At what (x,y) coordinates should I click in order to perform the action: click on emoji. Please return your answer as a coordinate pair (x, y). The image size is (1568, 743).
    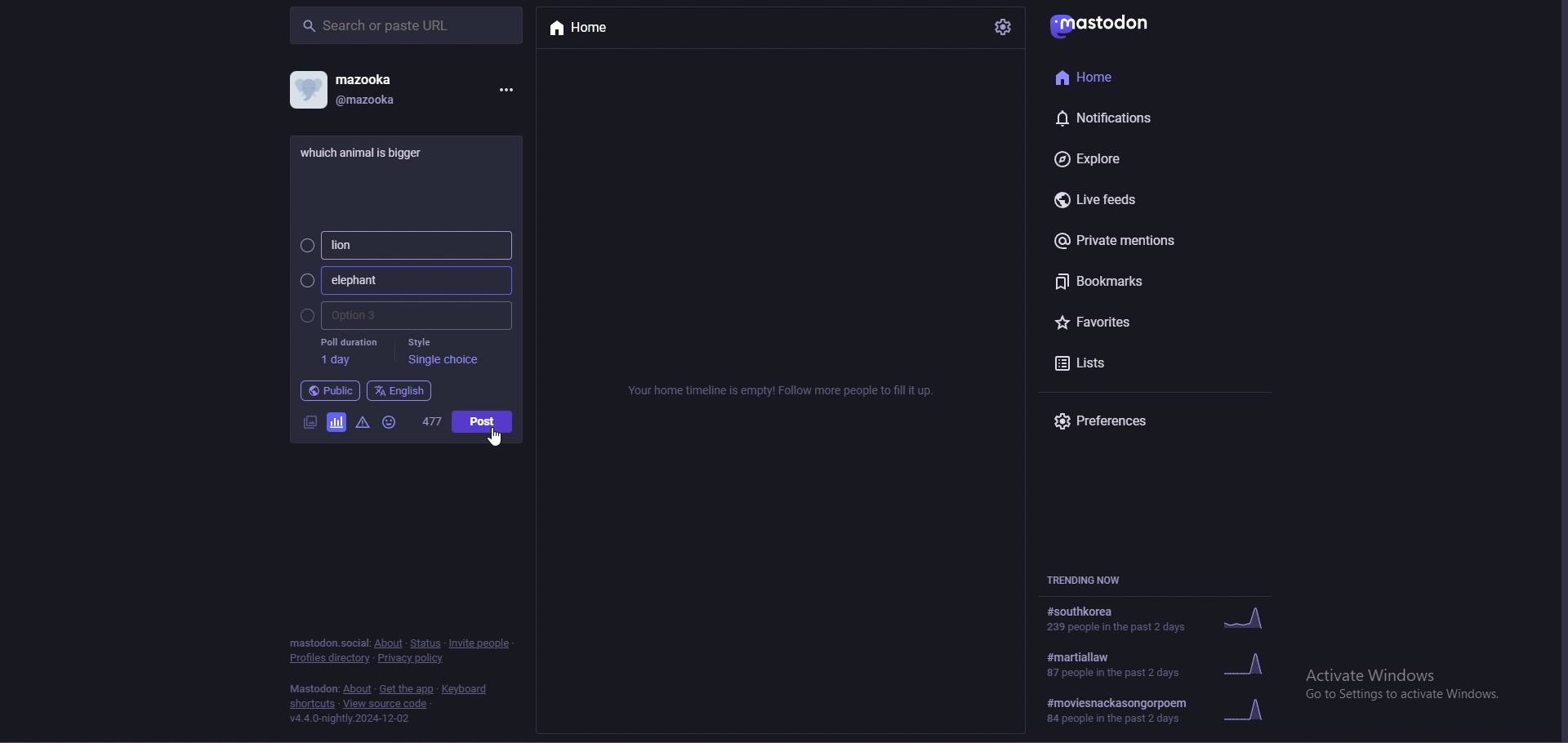
    Looking at the image, I should click on (391, 424).